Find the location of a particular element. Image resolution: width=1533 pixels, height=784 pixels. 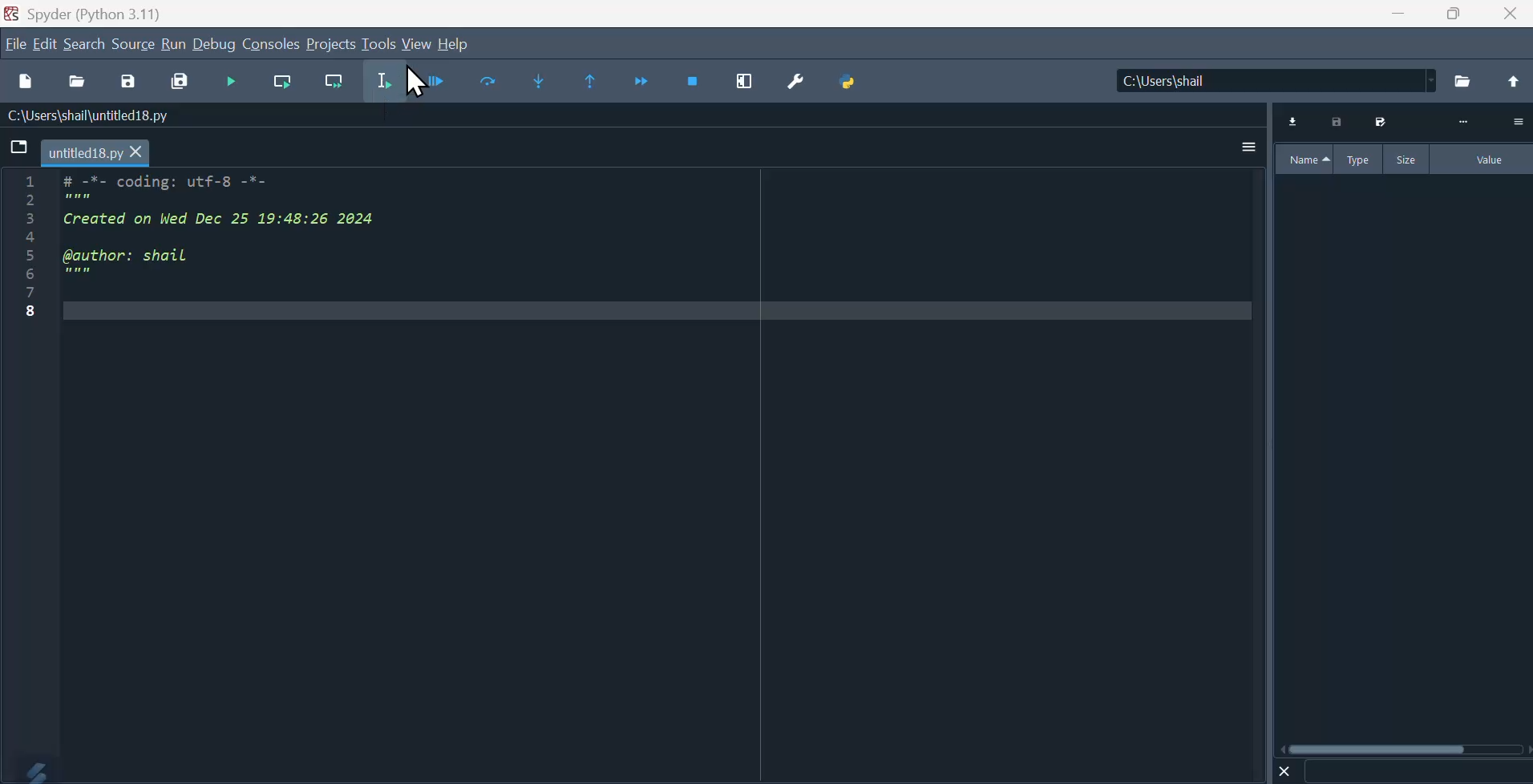

save is located at coordinates (127, 84).